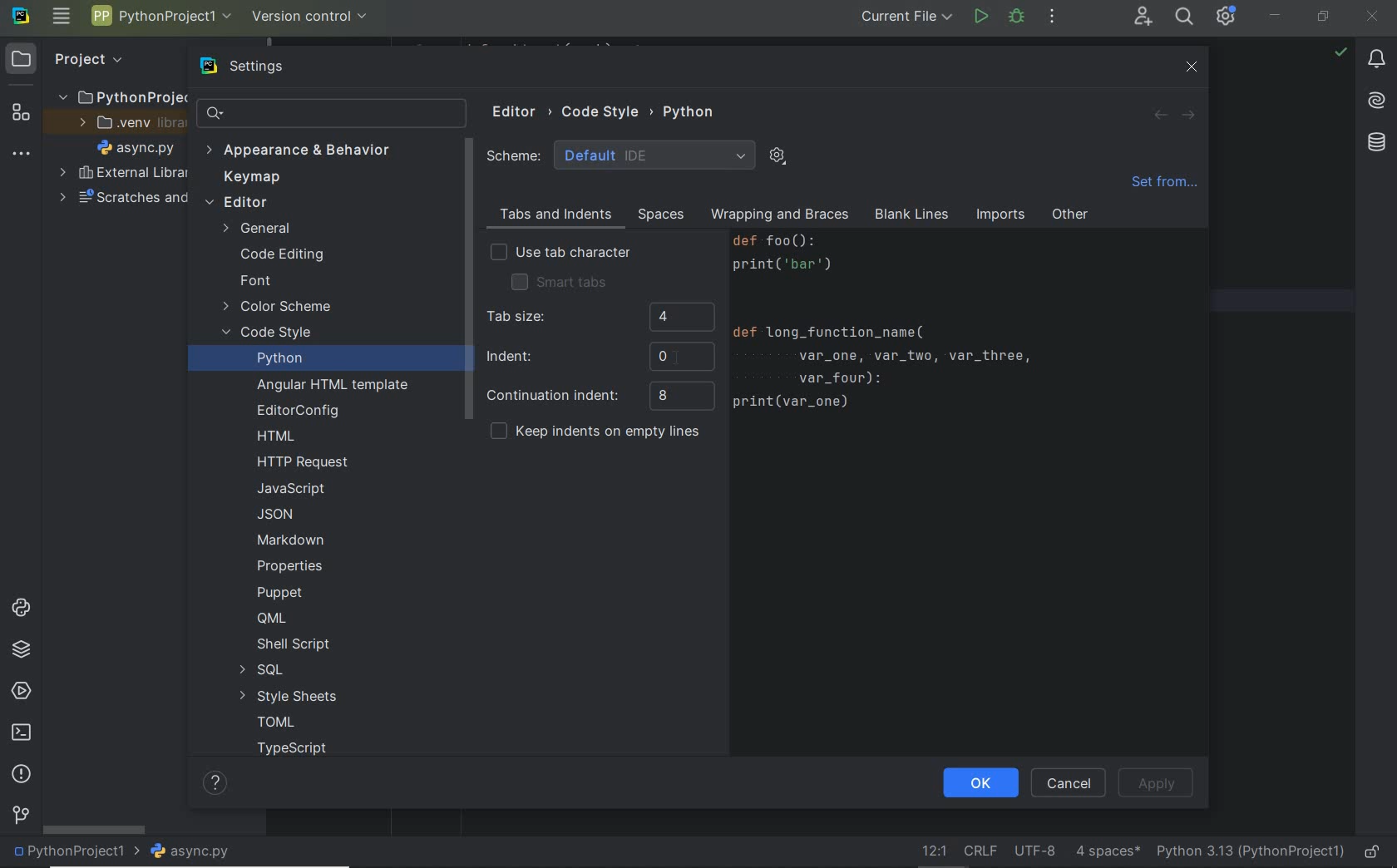 The image size is (1397, 868). Describe the element at coordinates (1052, 17) in the screenshot. I see `more actions` at that location.